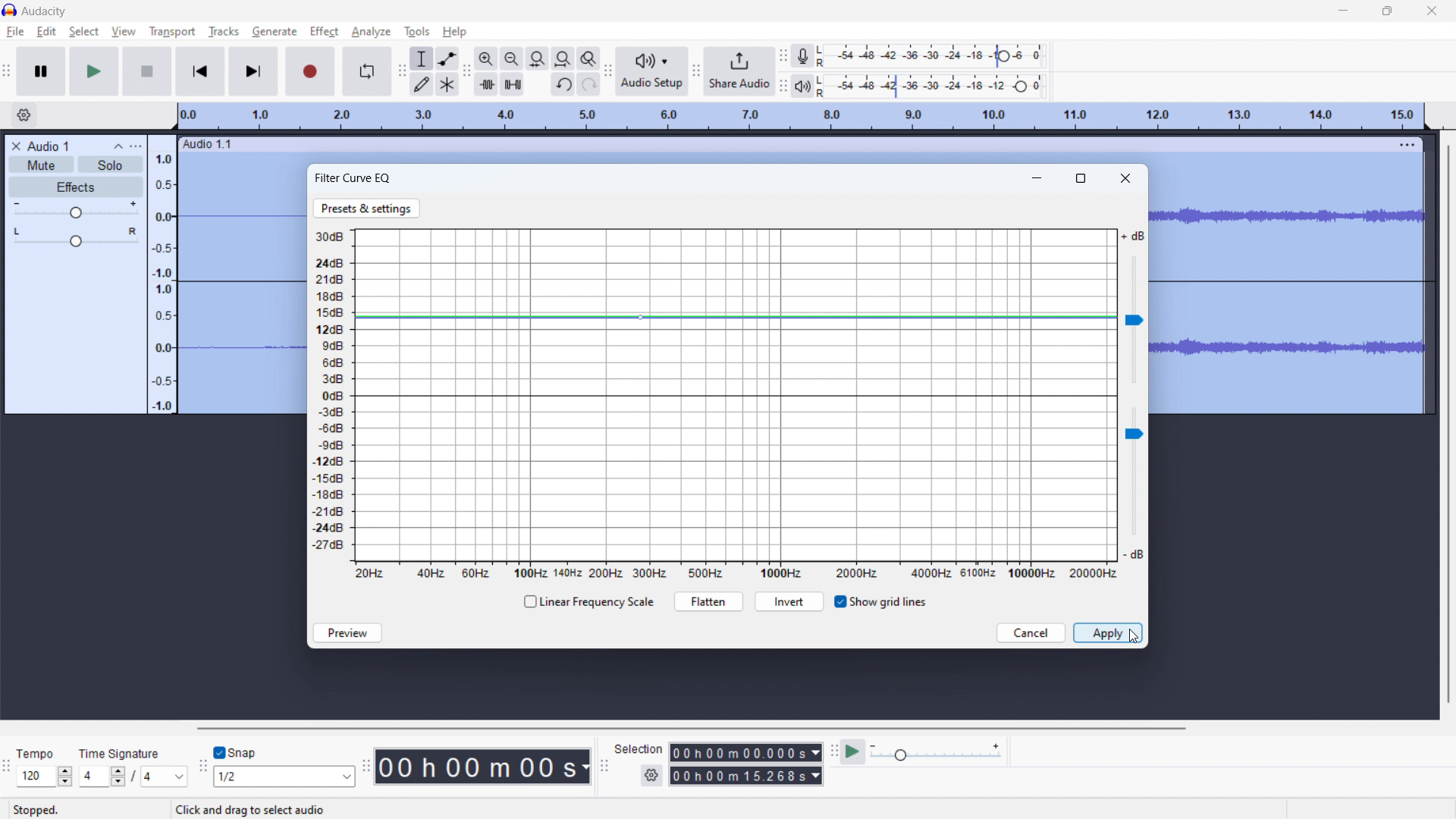 The width and height of the screenshot is (1456, 819). What do you see at coordinates (163, 274) in the screenshot?
I see `amplitude` at bounding box center [163, 274].